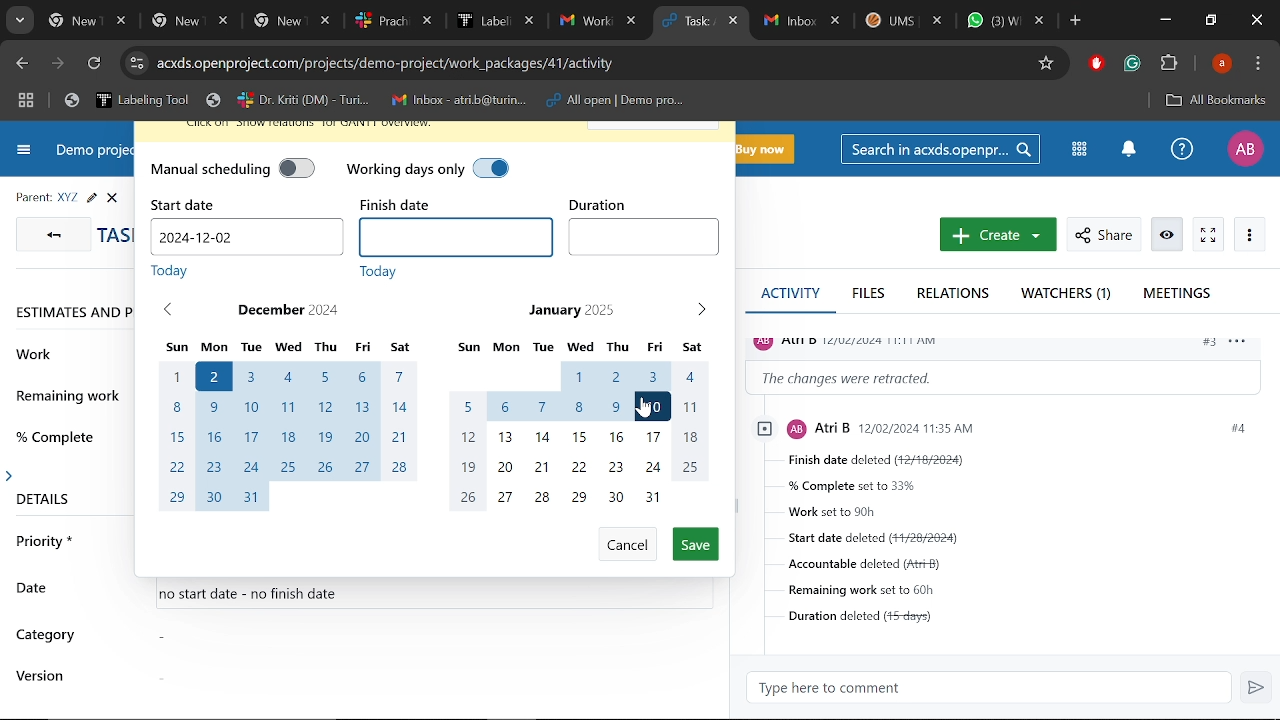 This screenshot has height=720, width=1280. I want to click on today, so click(381, 269).